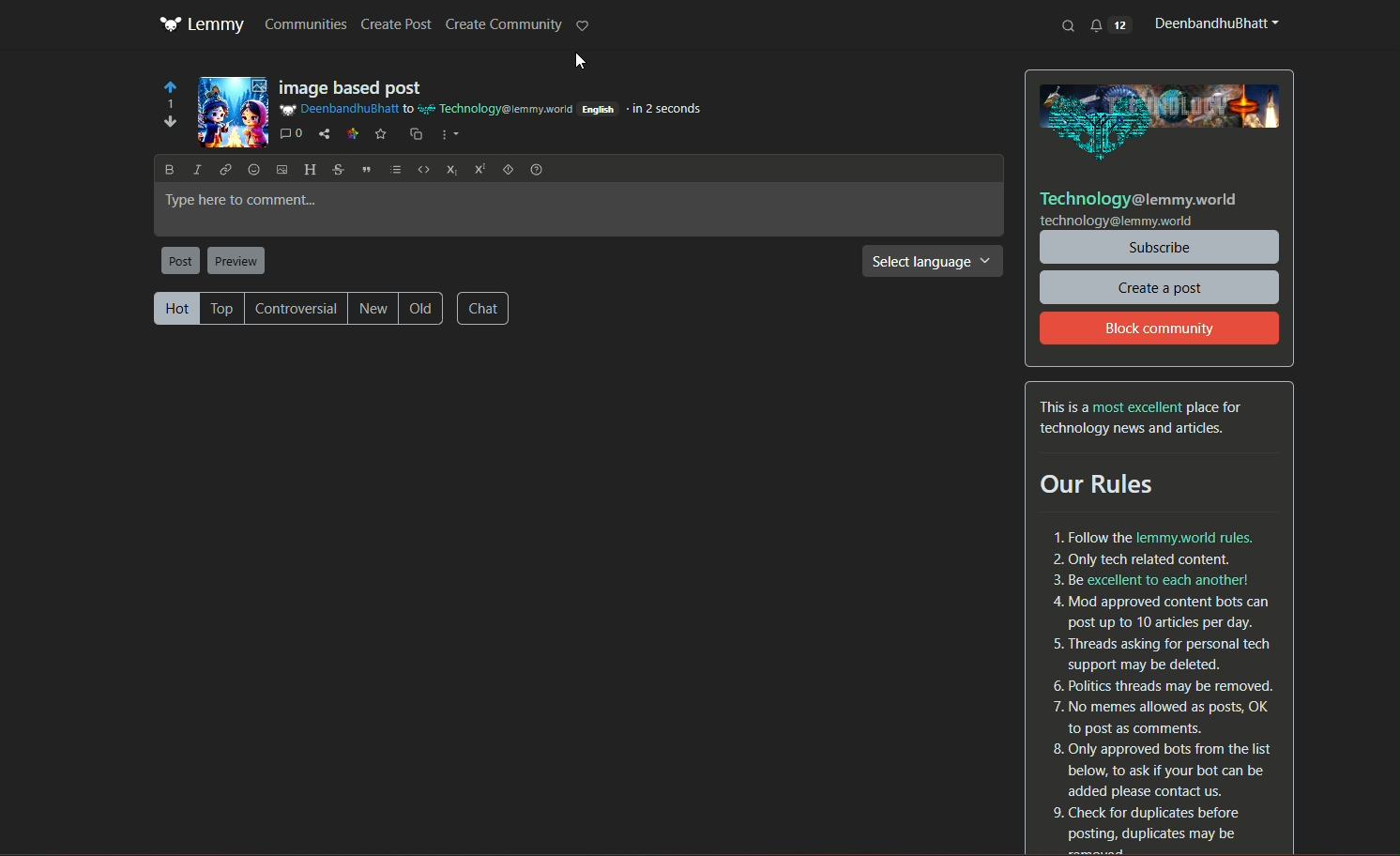 The height and width of the screenshot is (856, 1400). Describe the element at coordinates (1160, 613) in the screenshot. I see `4. Mod approved content bots can post up to 10 articles per day.` at that location.